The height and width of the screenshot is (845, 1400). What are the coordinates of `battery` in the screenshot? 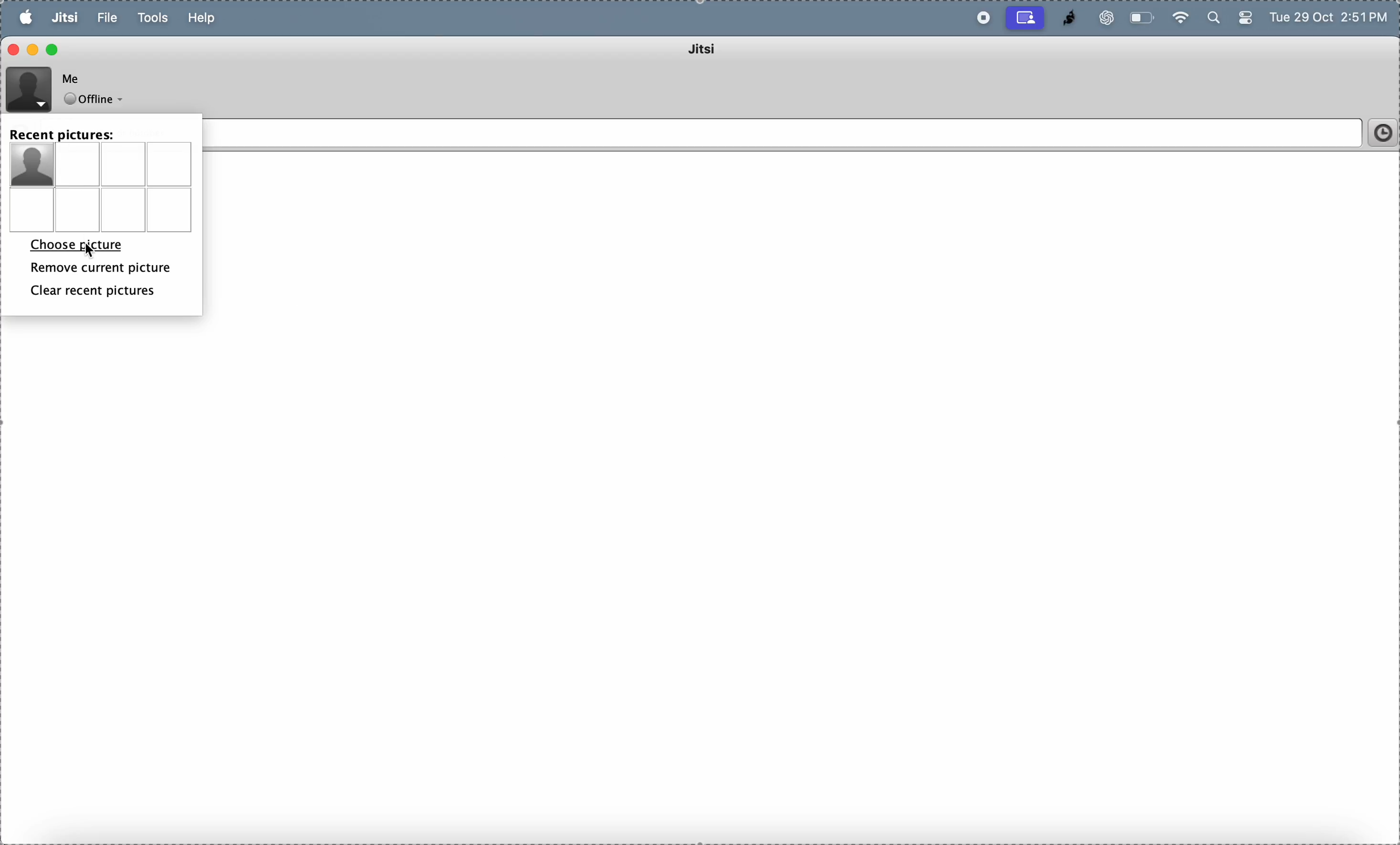 It's located at (1244, 20).